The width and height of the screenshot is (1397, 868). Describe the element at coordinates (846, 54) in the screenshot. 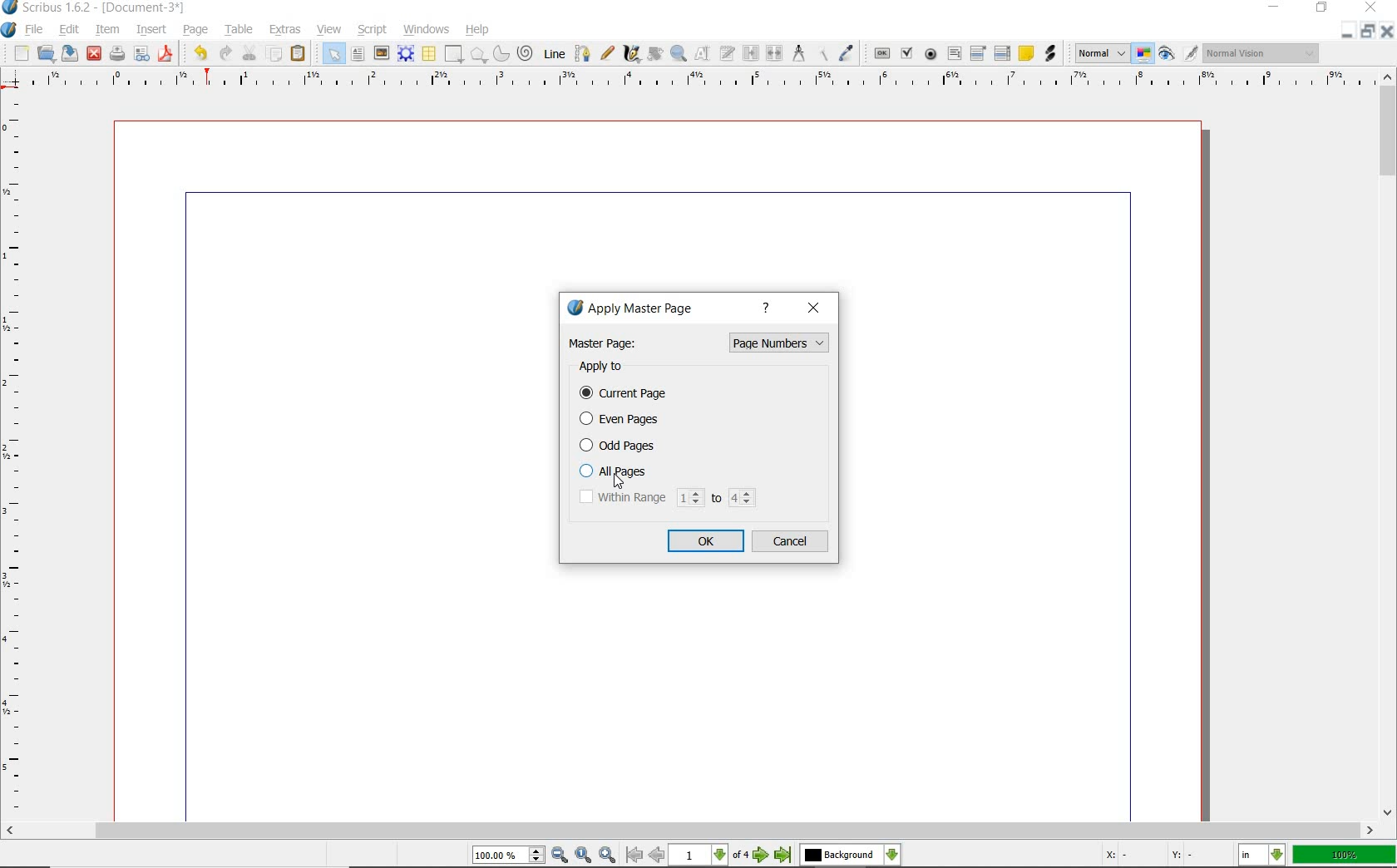

I see `eye dropper` at that location.